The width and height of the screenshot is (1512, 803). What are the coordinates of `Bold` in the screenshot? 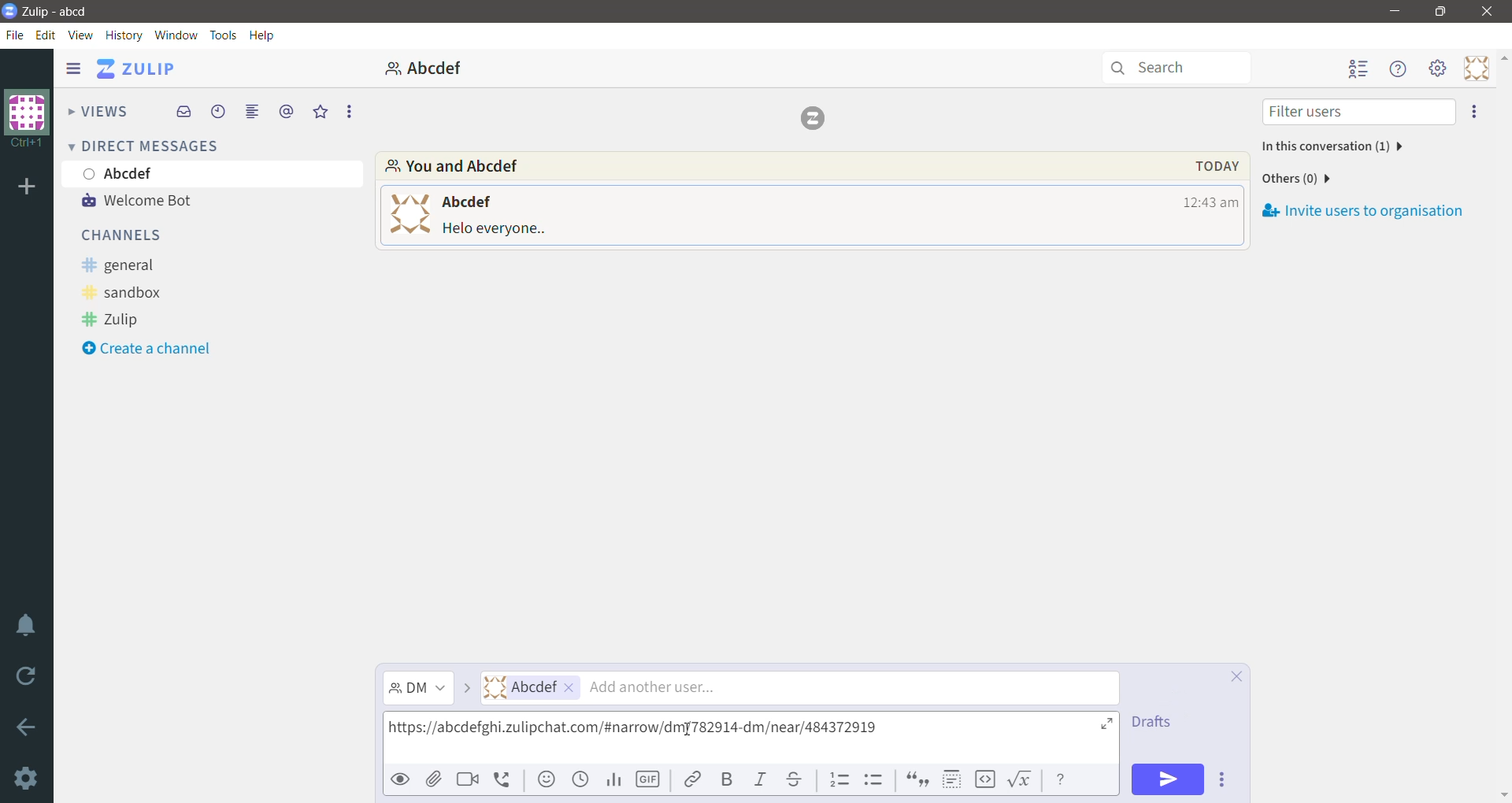 It's located at (728, 779).